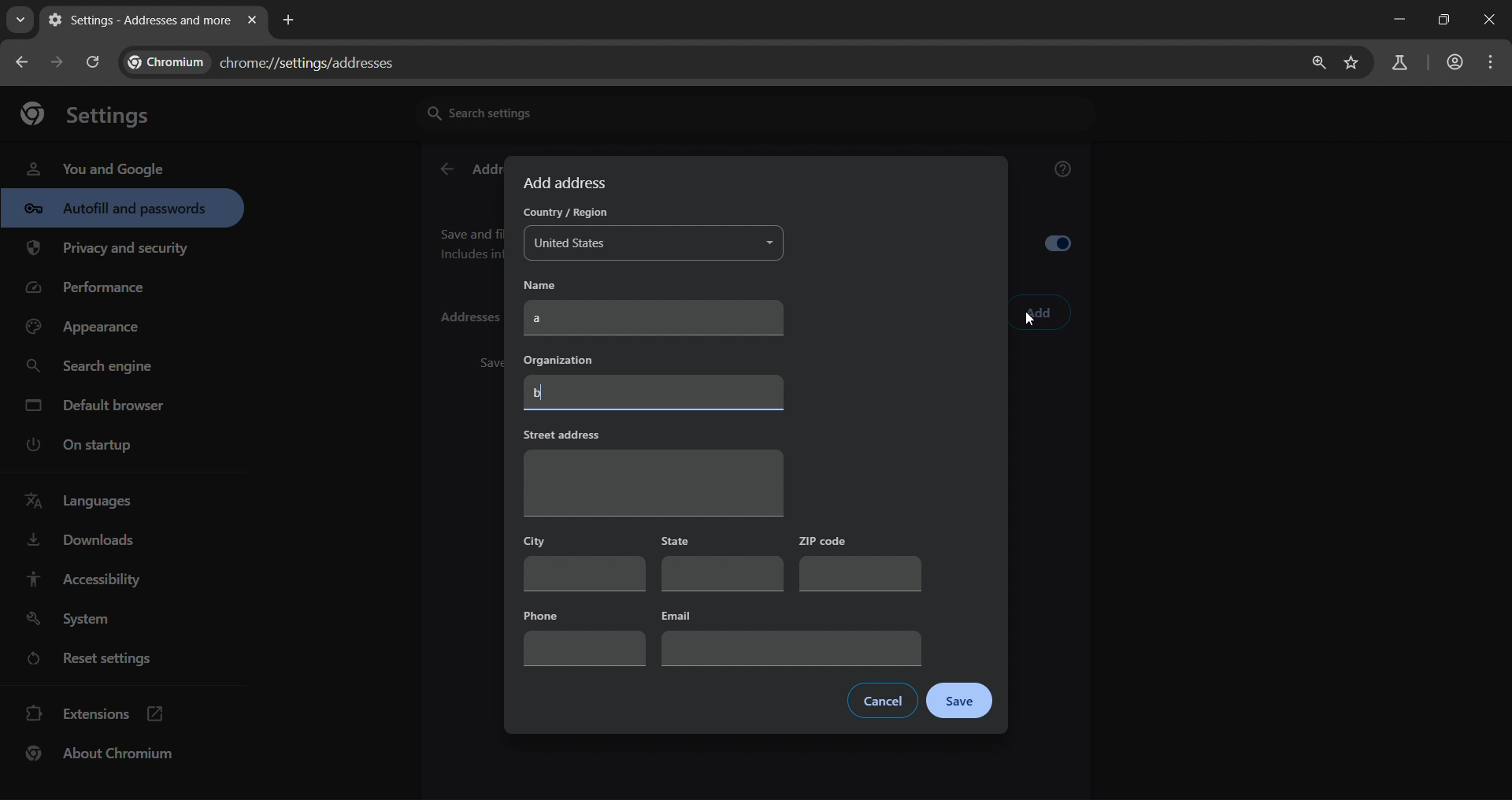  I want to click on street address, so click(650, 470).